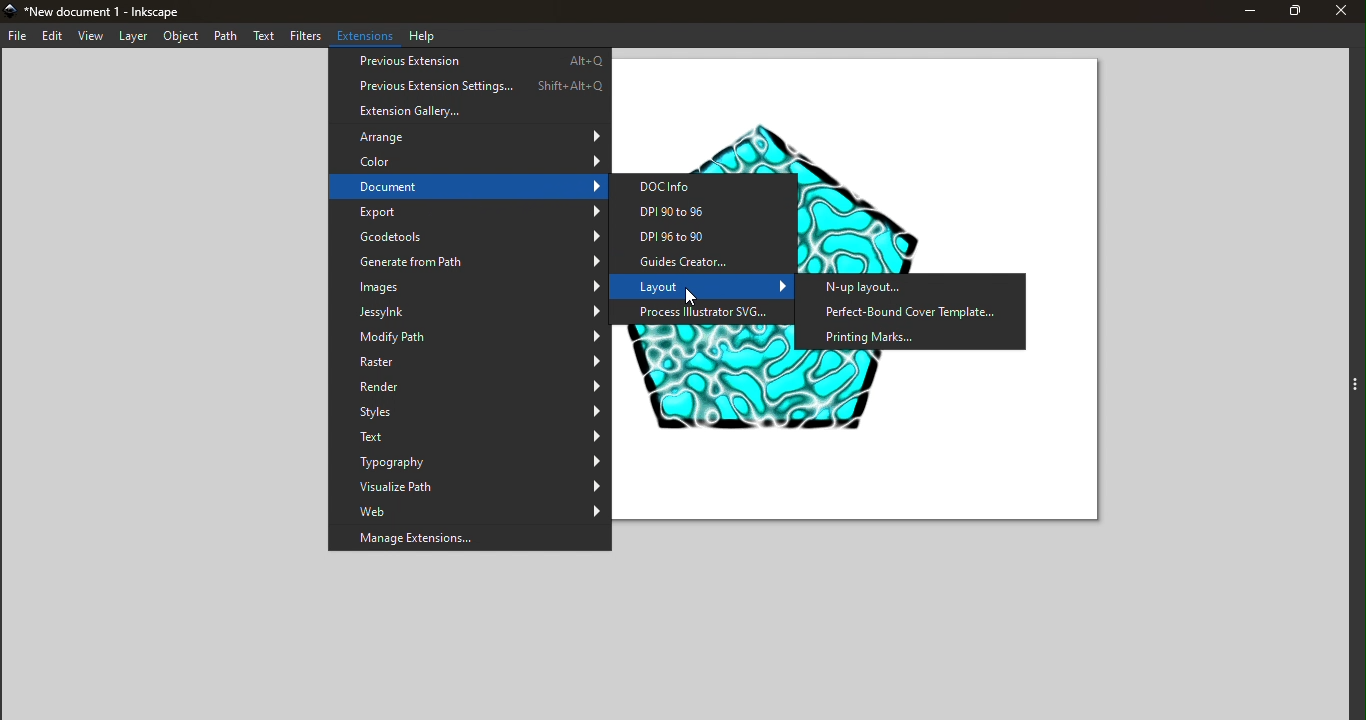 The image size is (1366, 720). Describe the element at coordinates (468, 389) in the screenshot. I see `Render` at that location.